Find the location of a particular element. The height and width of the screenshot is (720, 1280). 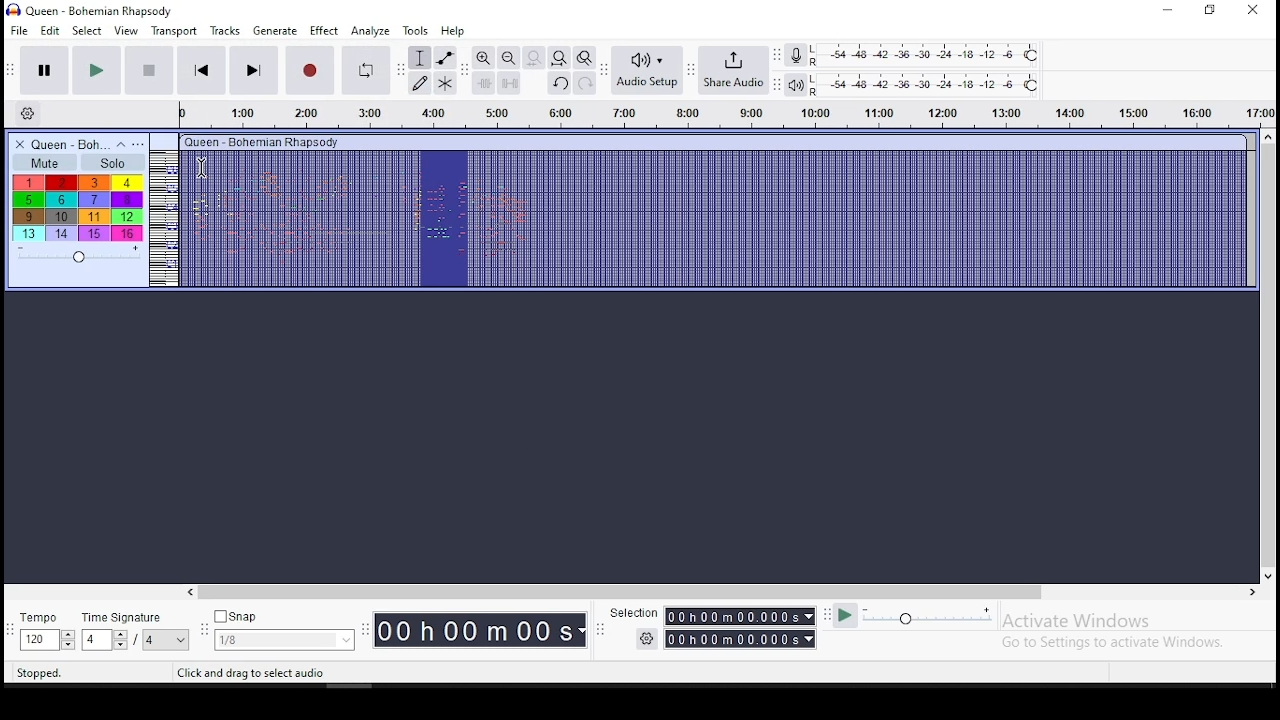

analuze is located at coordinates (370, 31).